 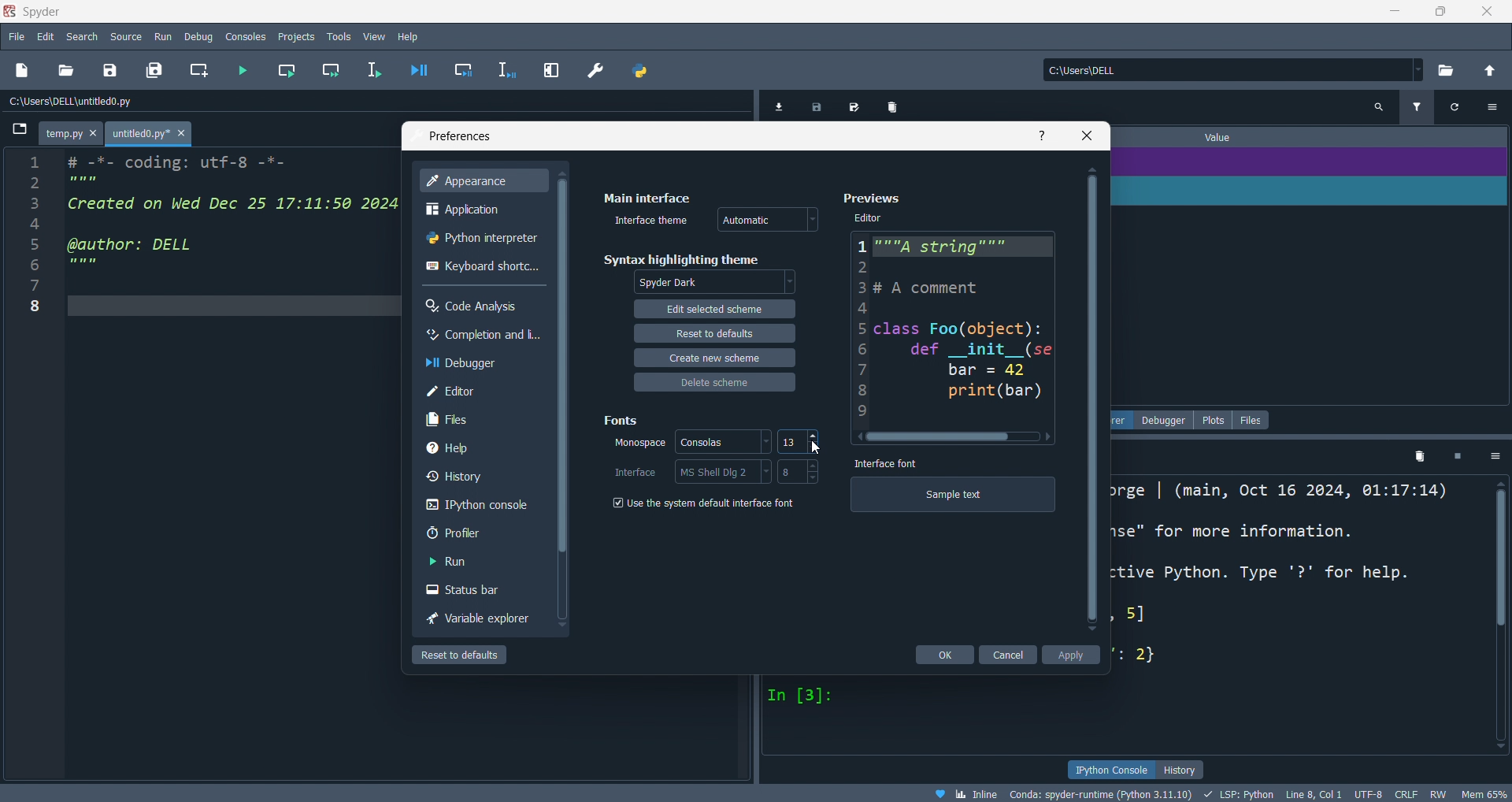 I want to click on application, so click(x=485, y=209).